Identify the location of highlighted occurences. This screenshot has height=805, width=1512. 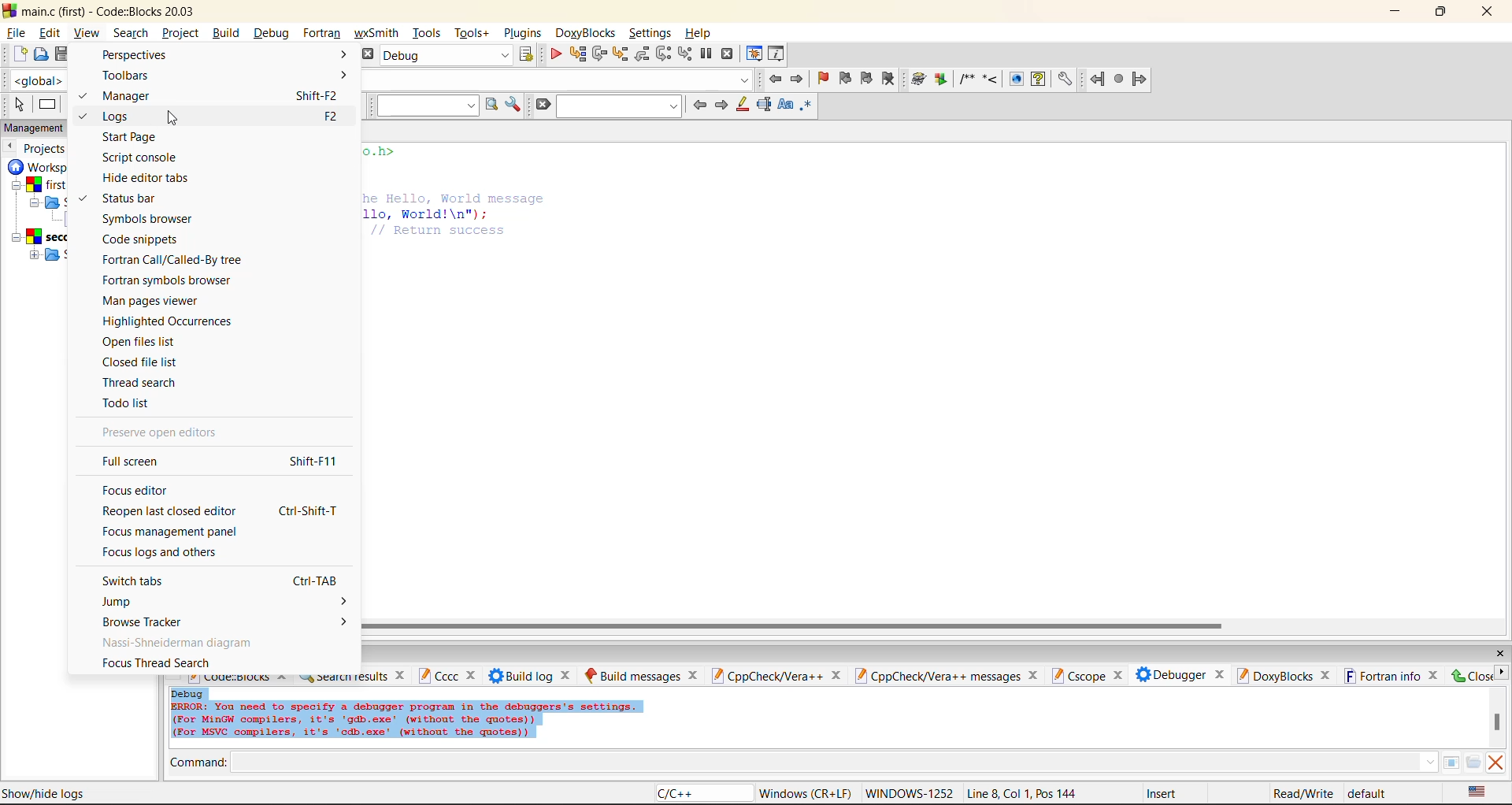
(169, 321).